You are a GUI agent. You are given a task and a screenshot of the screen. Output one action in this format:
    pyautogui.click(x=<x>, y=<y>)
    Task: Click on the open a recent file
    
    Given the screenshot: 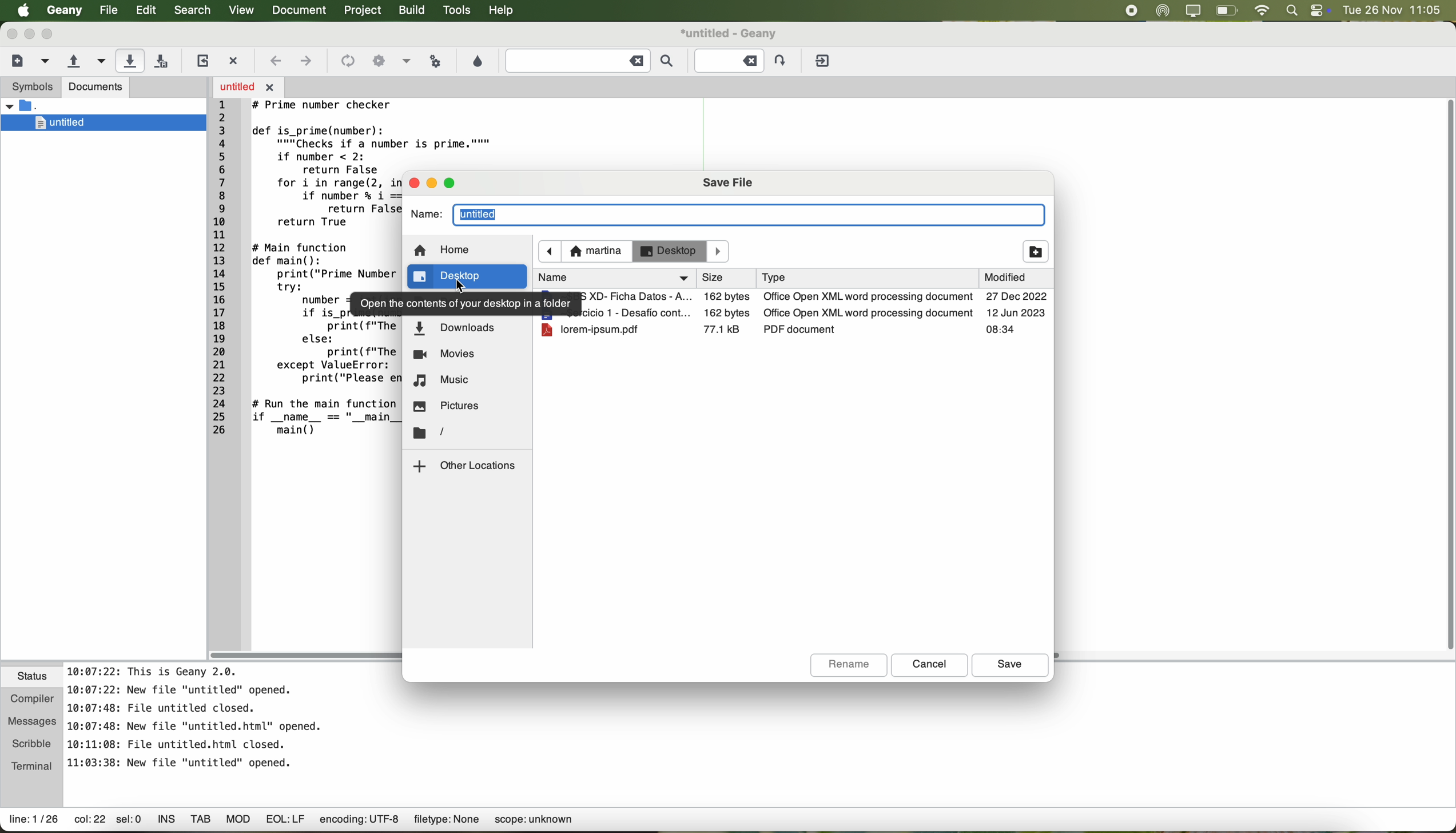 What is the action you would take?
    pyautogui.click(x=99, y=61)
    